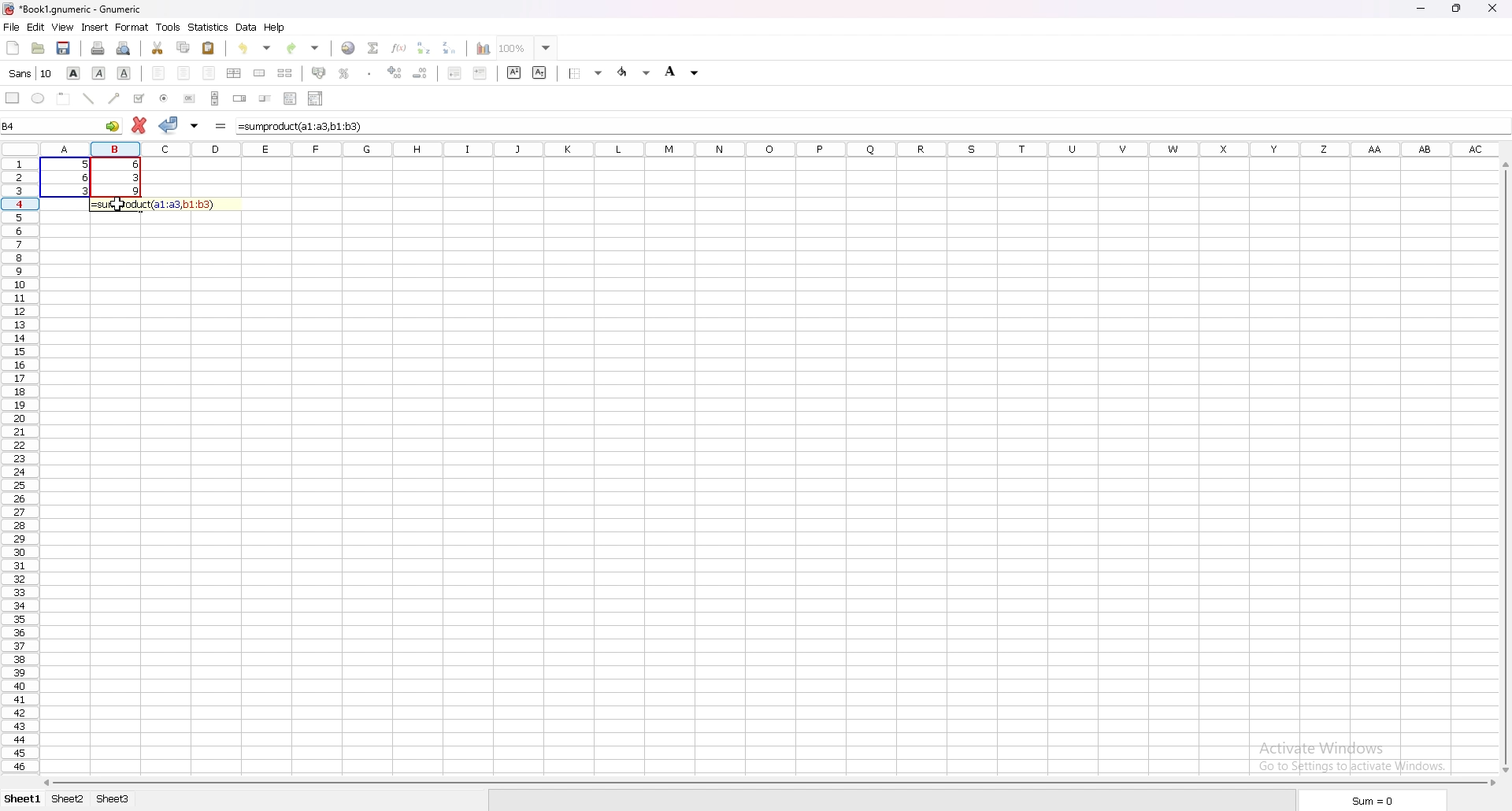 This screenshot has height=811, width=1512. Describe the element at coordinates (246, 28) in the screenshot. I see `data` at that location.